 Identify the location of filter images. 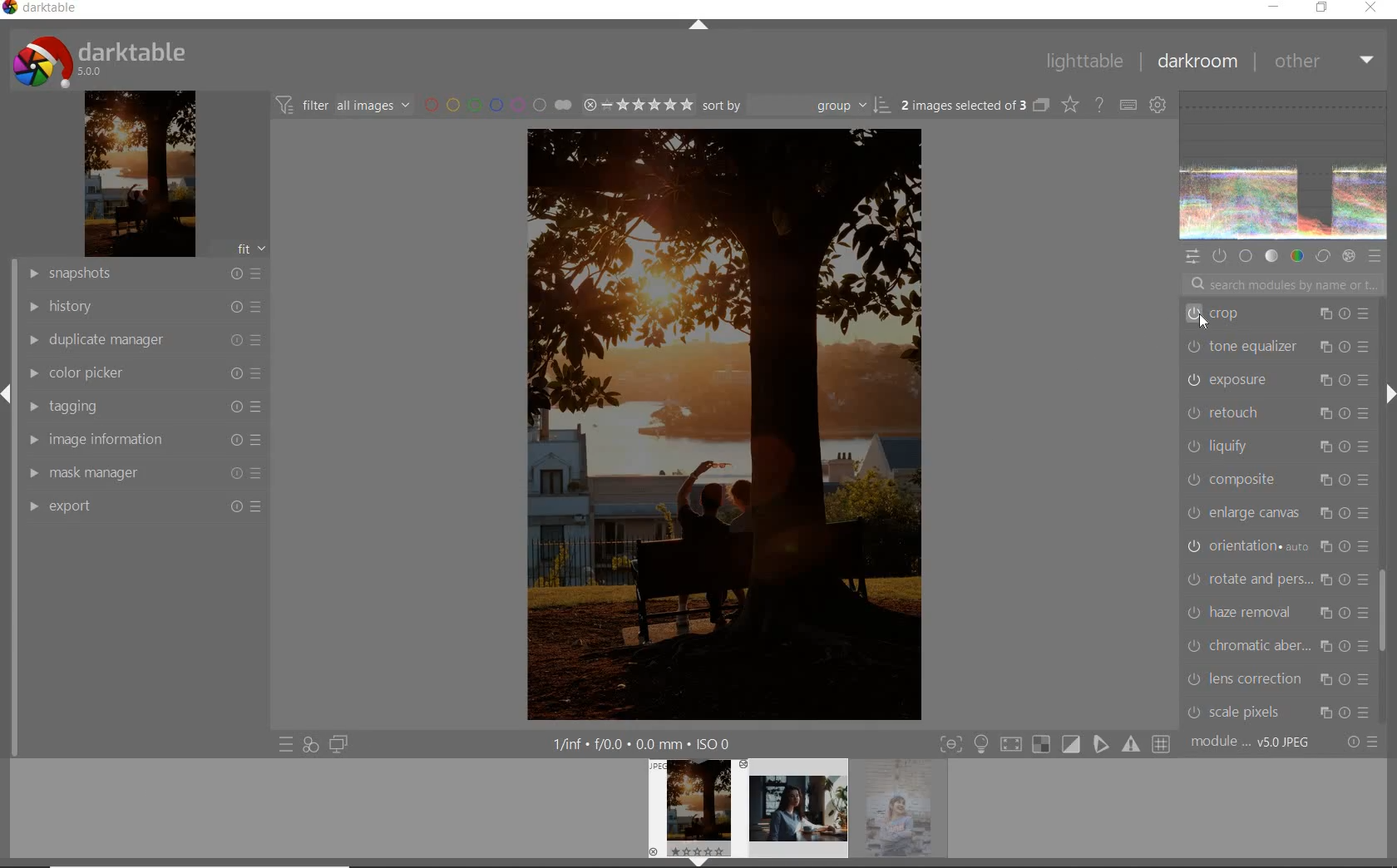
(343, 106).